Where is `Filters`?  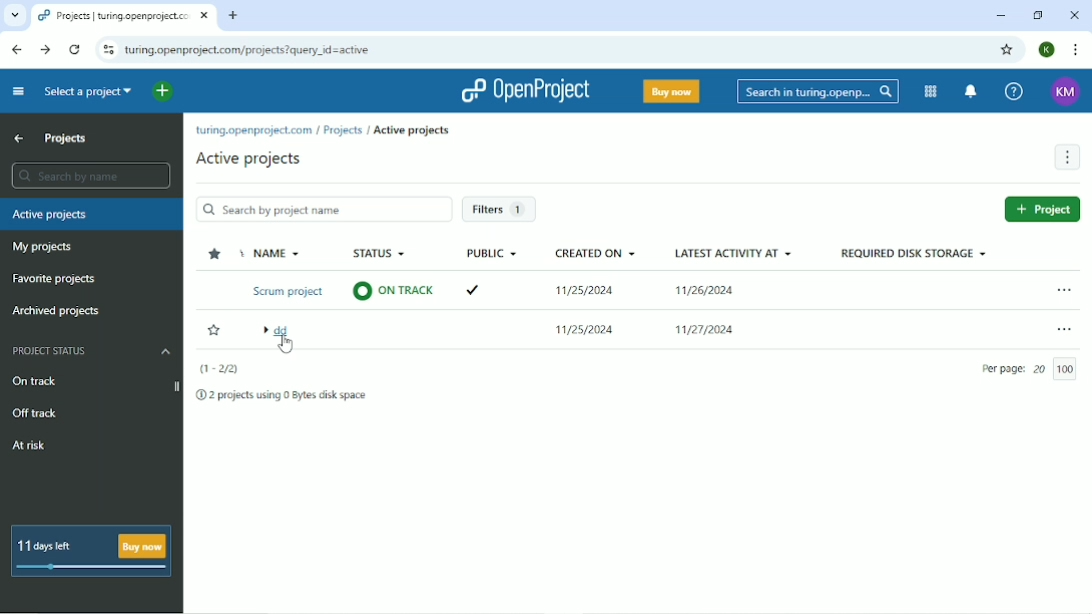
Filters is located at coordinates (502, 209).